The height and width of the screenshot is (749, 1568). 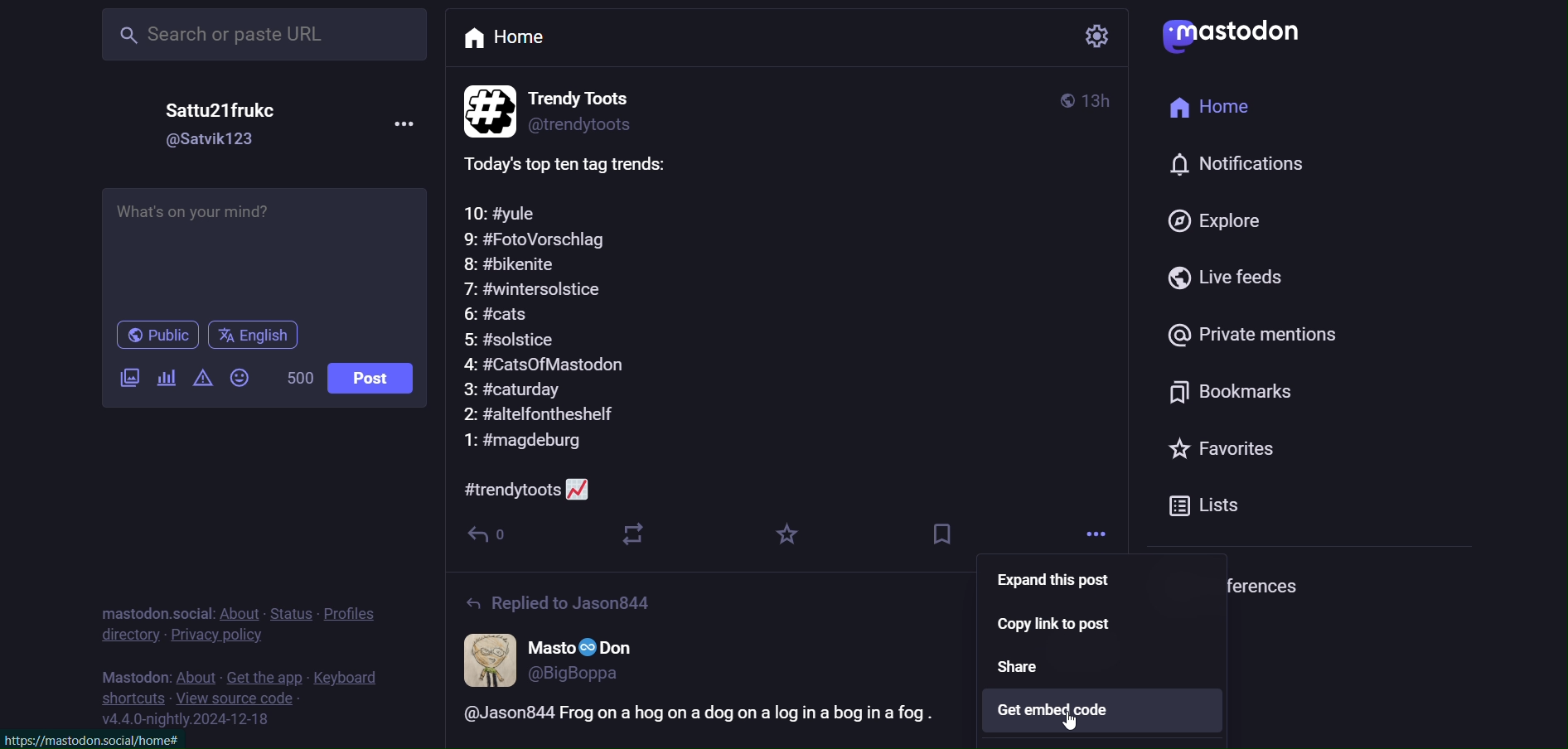 What do you see at coordinates (1057, 98) in the screenshot?
I see `global post` at bounding box center [1057, 98].